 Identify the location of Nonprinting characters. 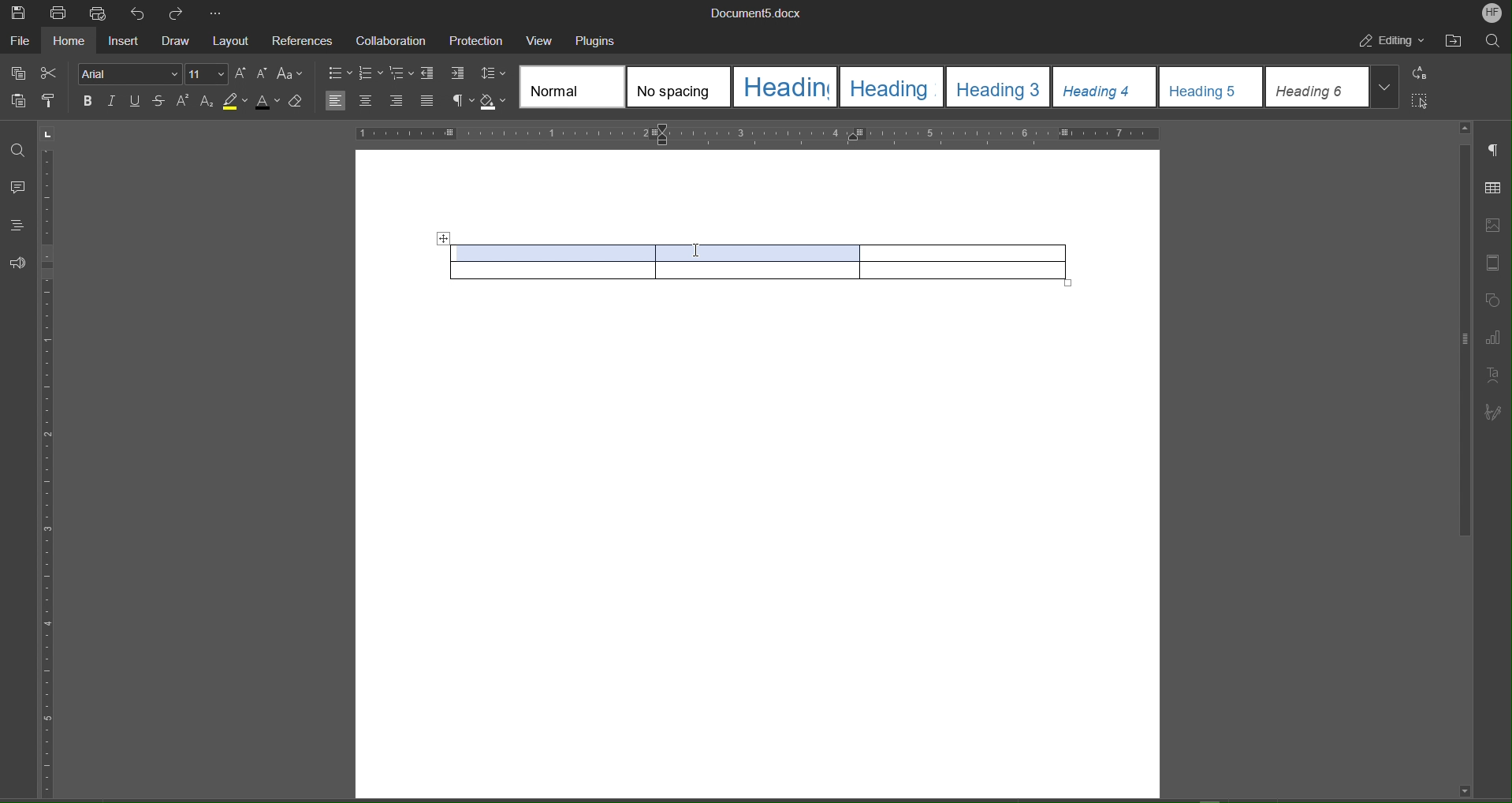
(462, 102).